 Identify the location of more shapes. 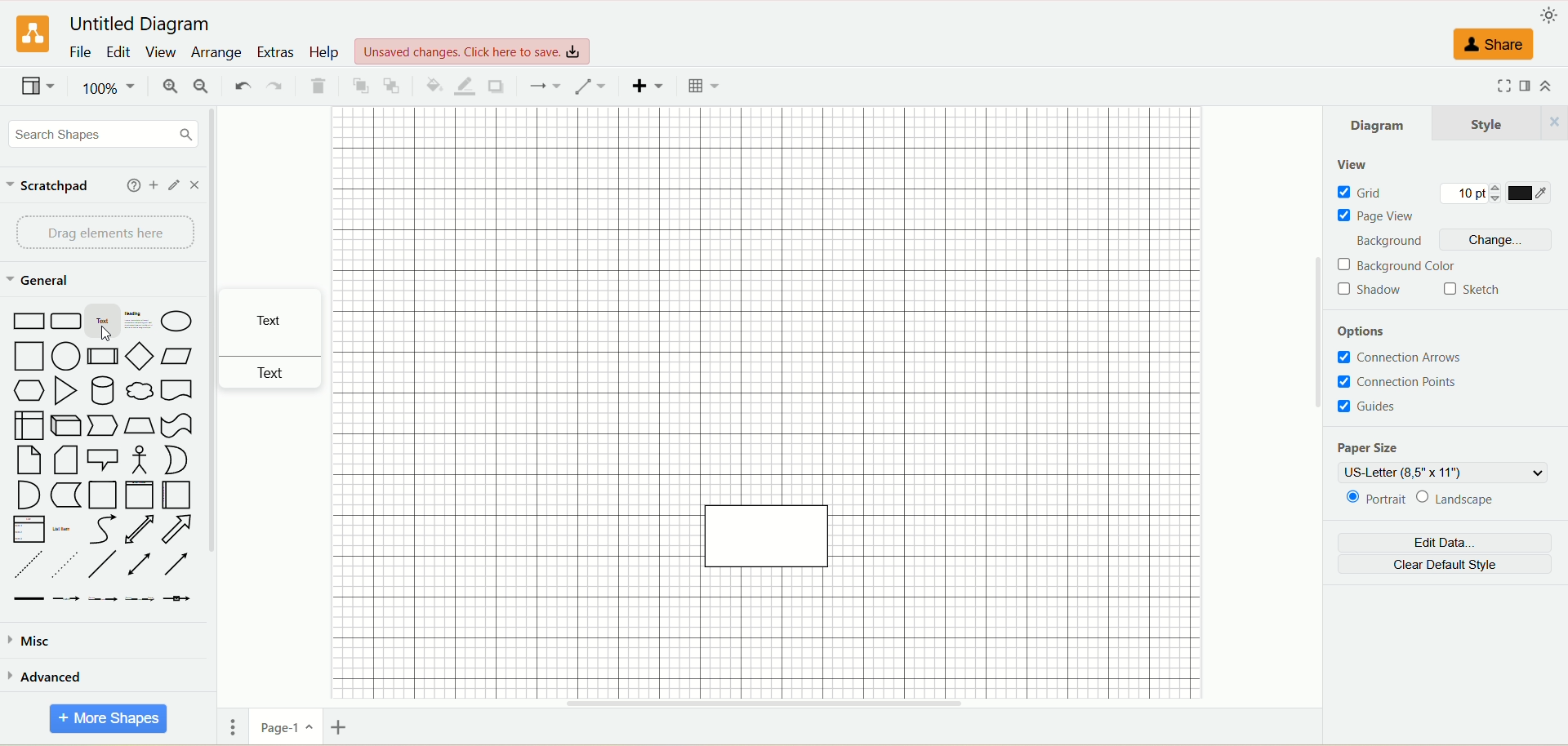
(109, 719).